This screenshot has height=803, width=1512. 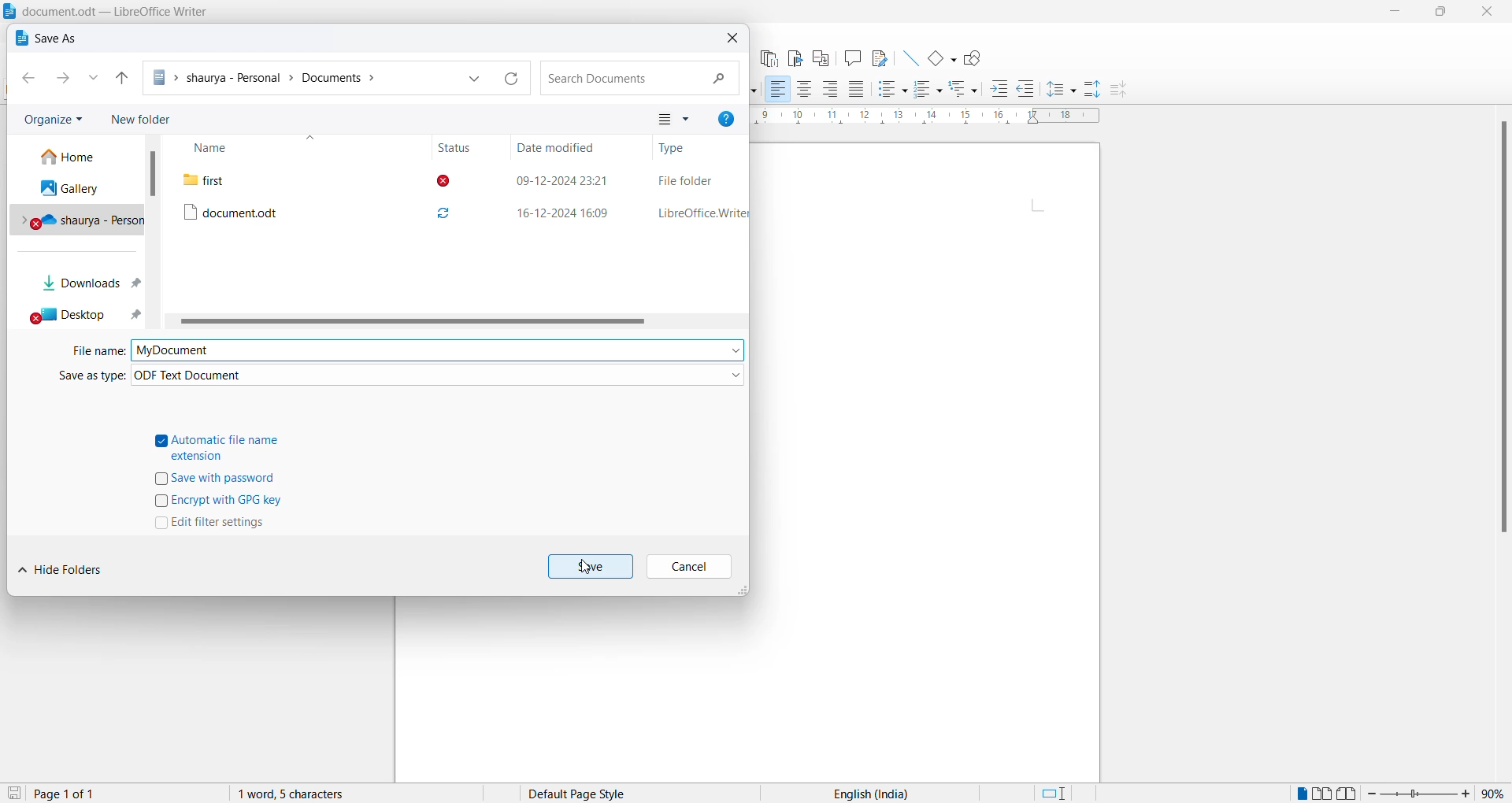 I want to click on Line spacing options, so click(x=1062, y=91).